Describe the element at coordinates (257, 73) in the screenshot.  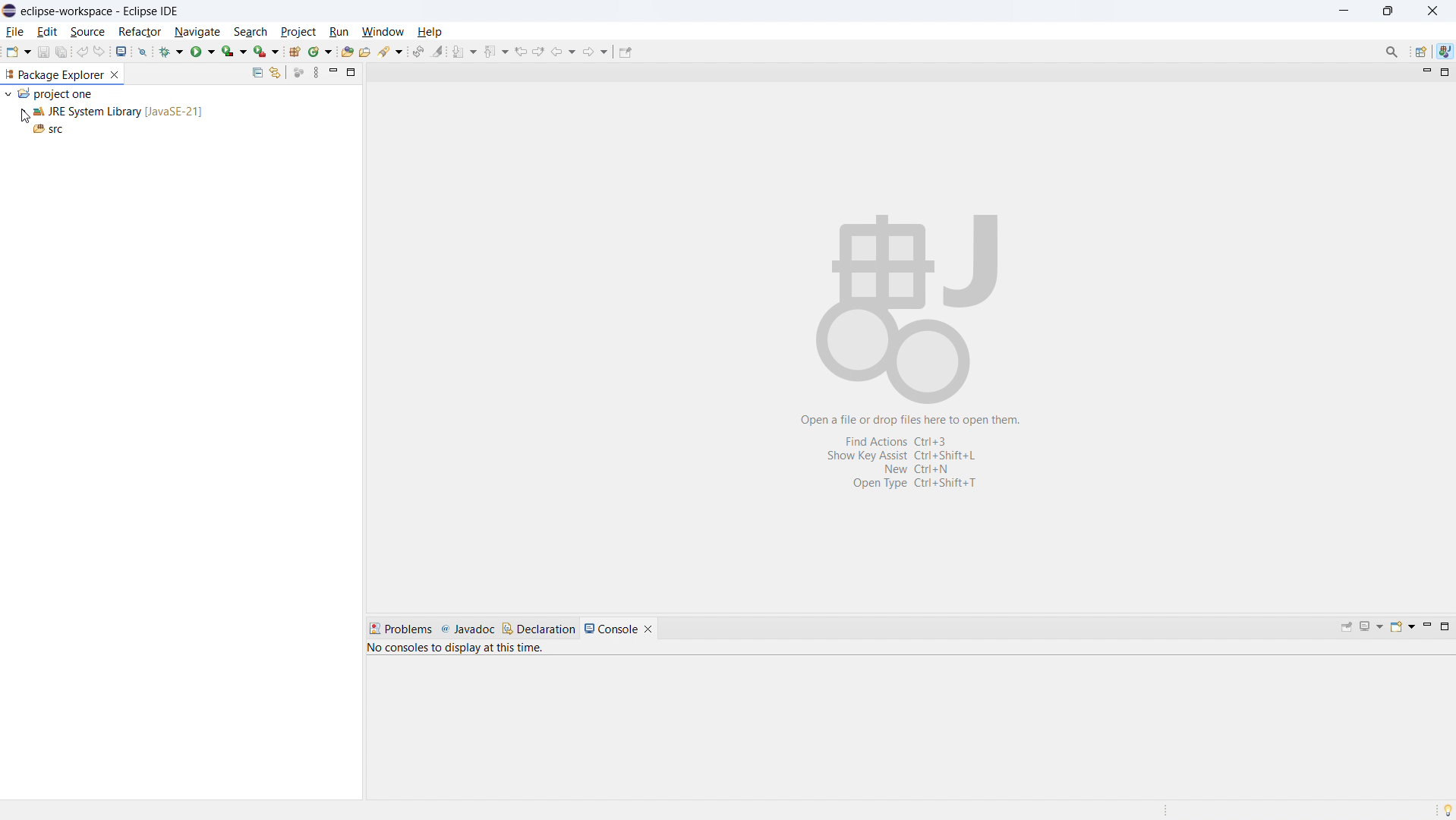
I see `collapse all` at that location.